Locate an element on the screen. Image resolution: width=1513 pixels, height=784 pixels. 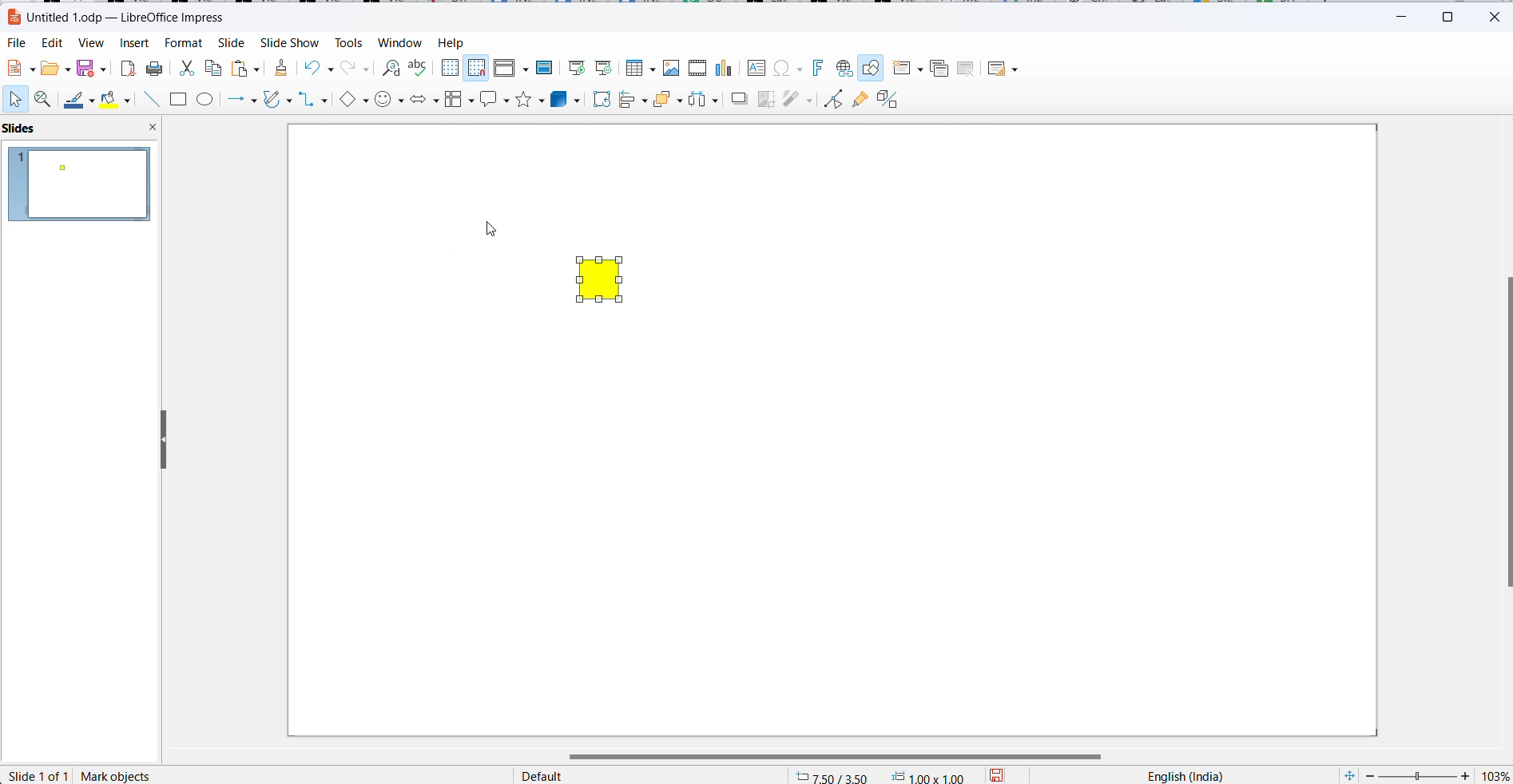
Duplicate slide is located at coordinates (939, 69).